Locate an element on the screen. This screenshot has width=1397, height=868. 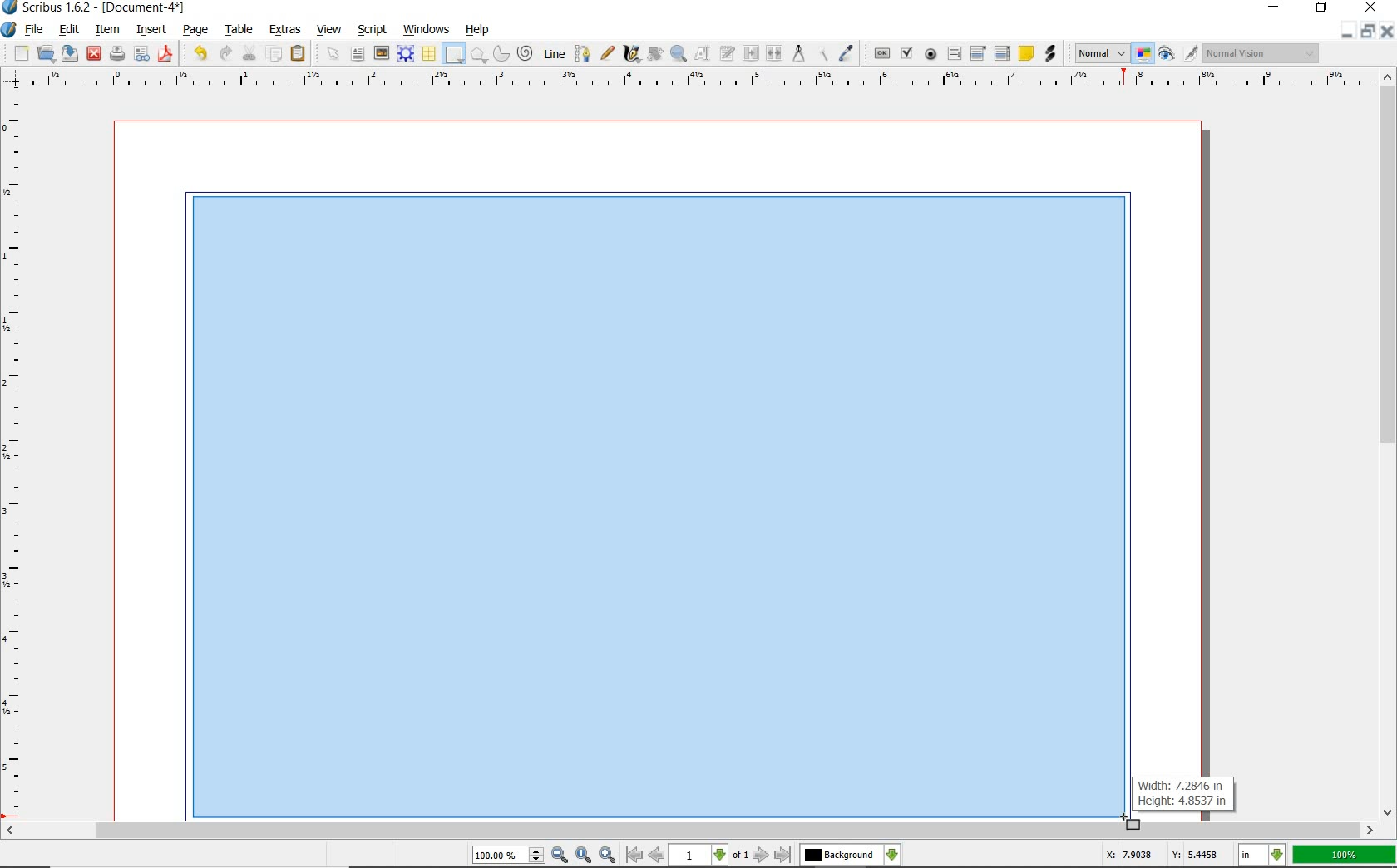
help is located at coordinates (479, 31).